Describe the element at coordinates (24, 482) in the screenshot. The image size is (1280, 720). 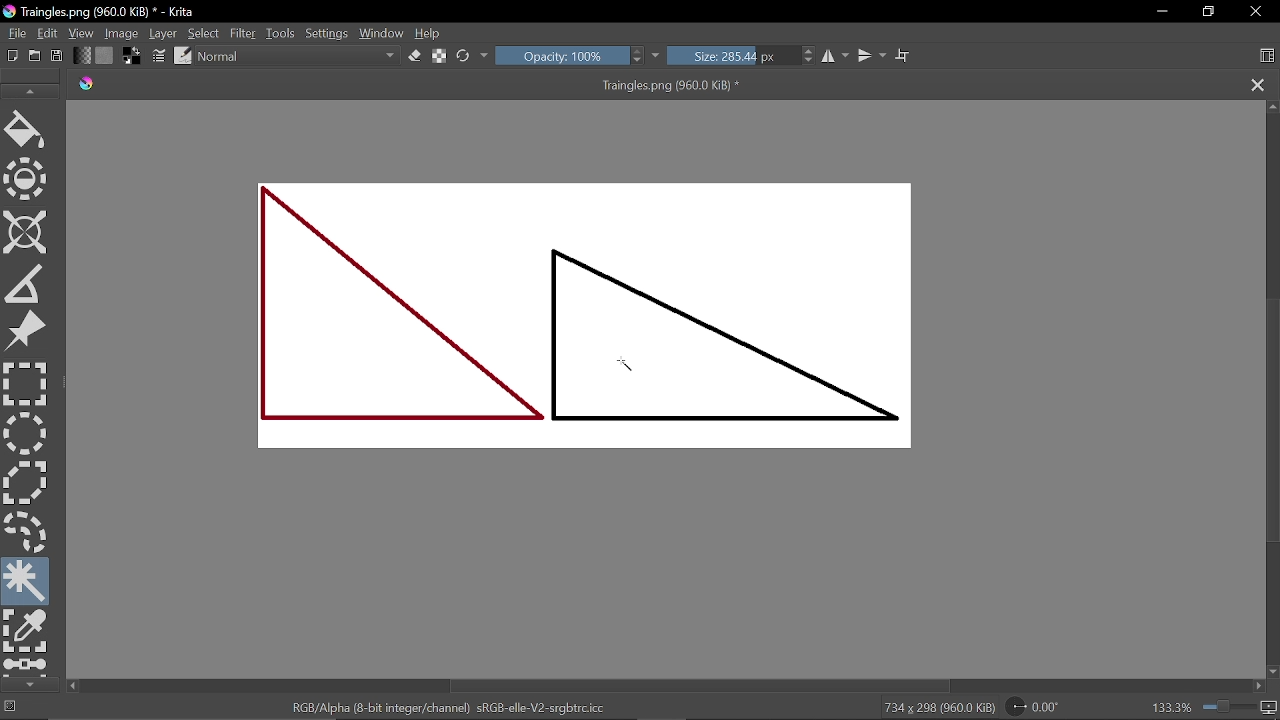
I see `Polygon select tool` at that location.